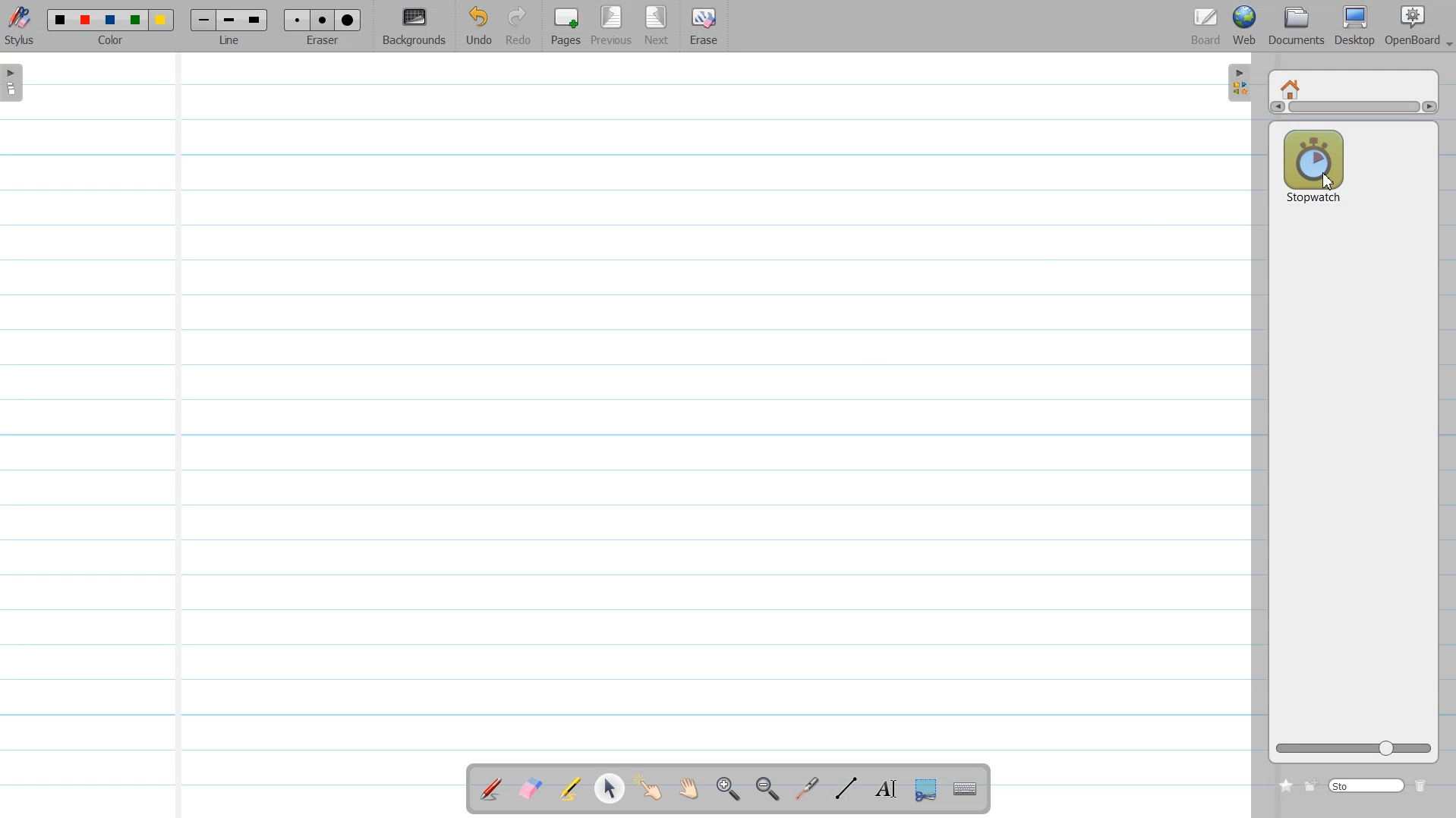 This screenshot has height=818, width=1456. I want to click on Create new folder, so click(1309, 786).